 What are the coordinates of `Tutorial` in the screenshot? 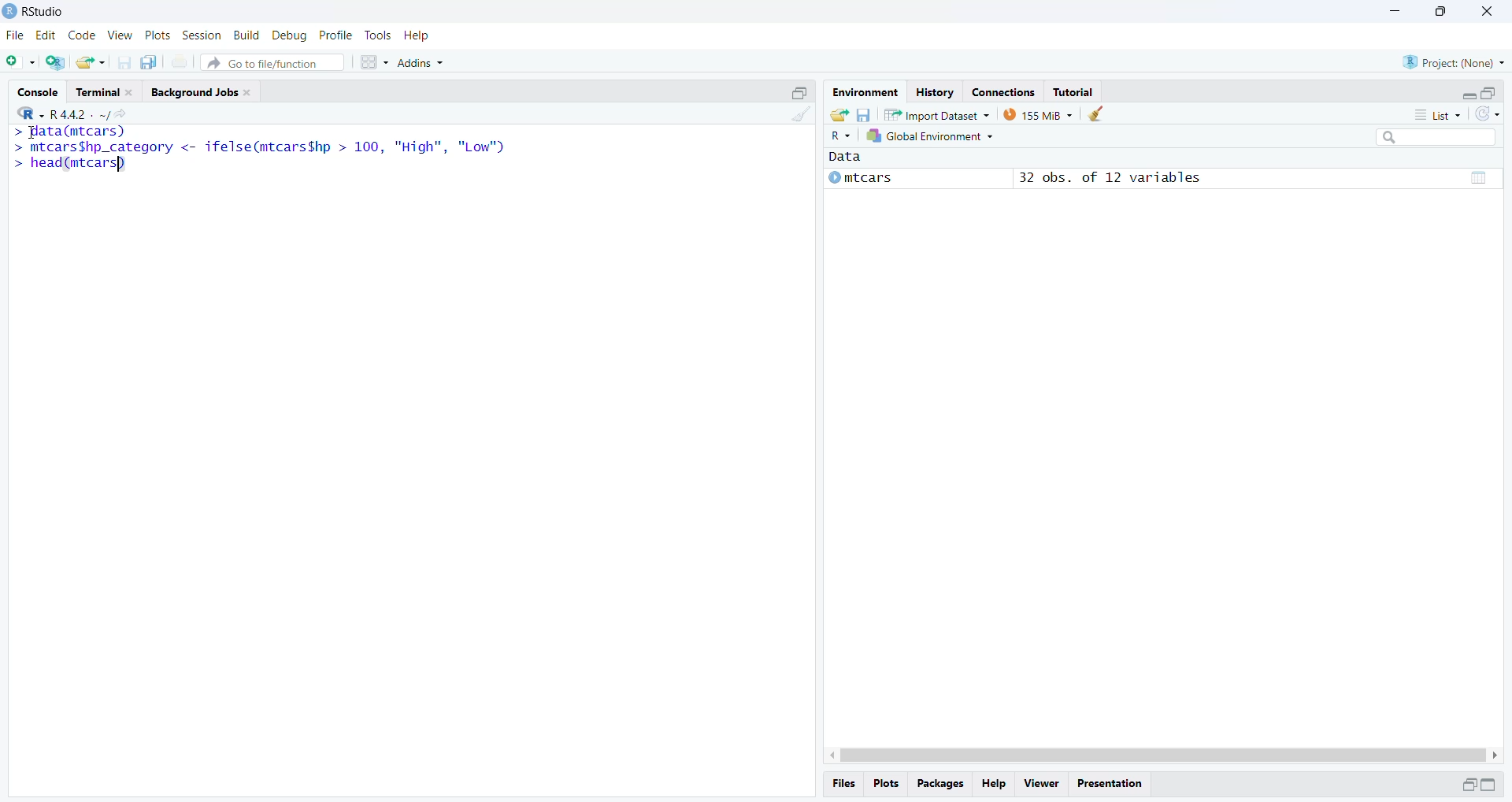 It's located at (1076, 91).